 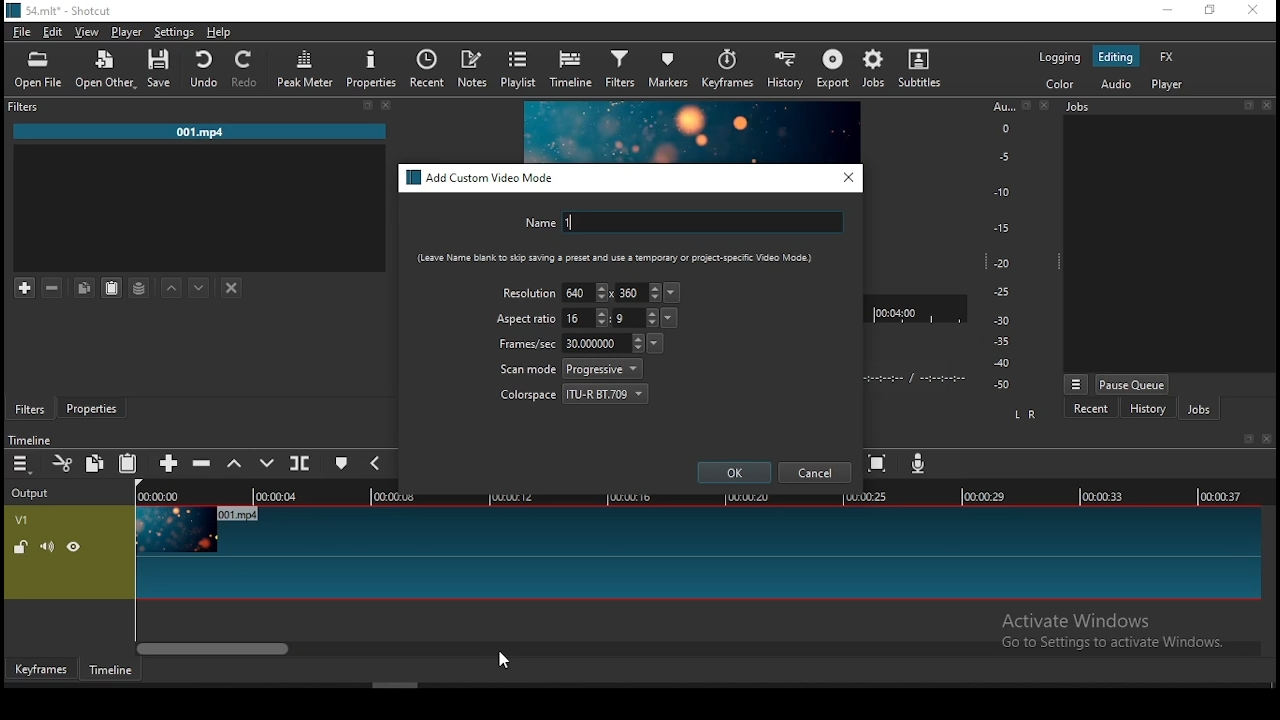 I want to click on -30, so click(x=1005, y=320).